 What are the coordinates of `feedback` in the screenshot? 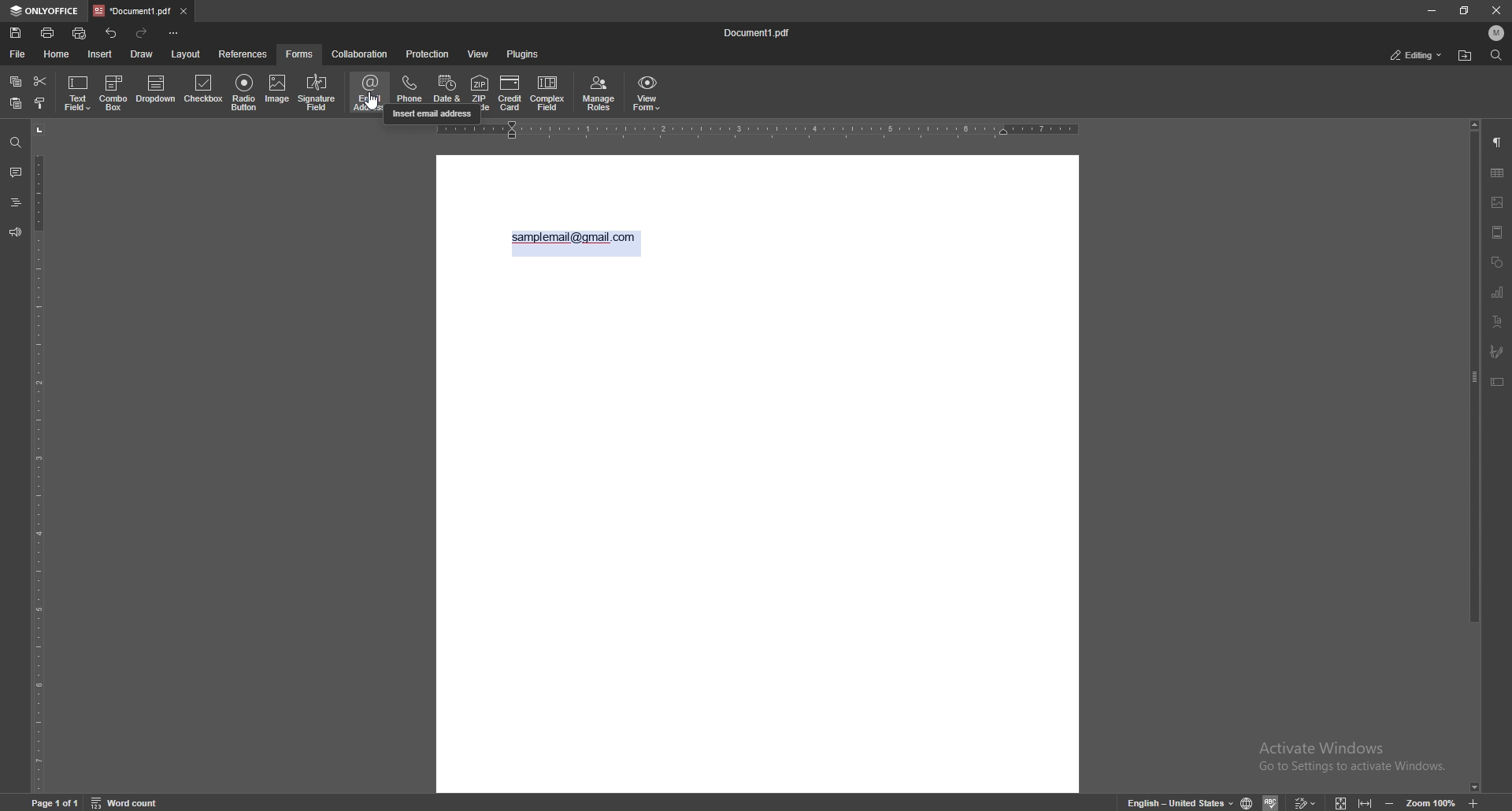 It's located at (16, 232).